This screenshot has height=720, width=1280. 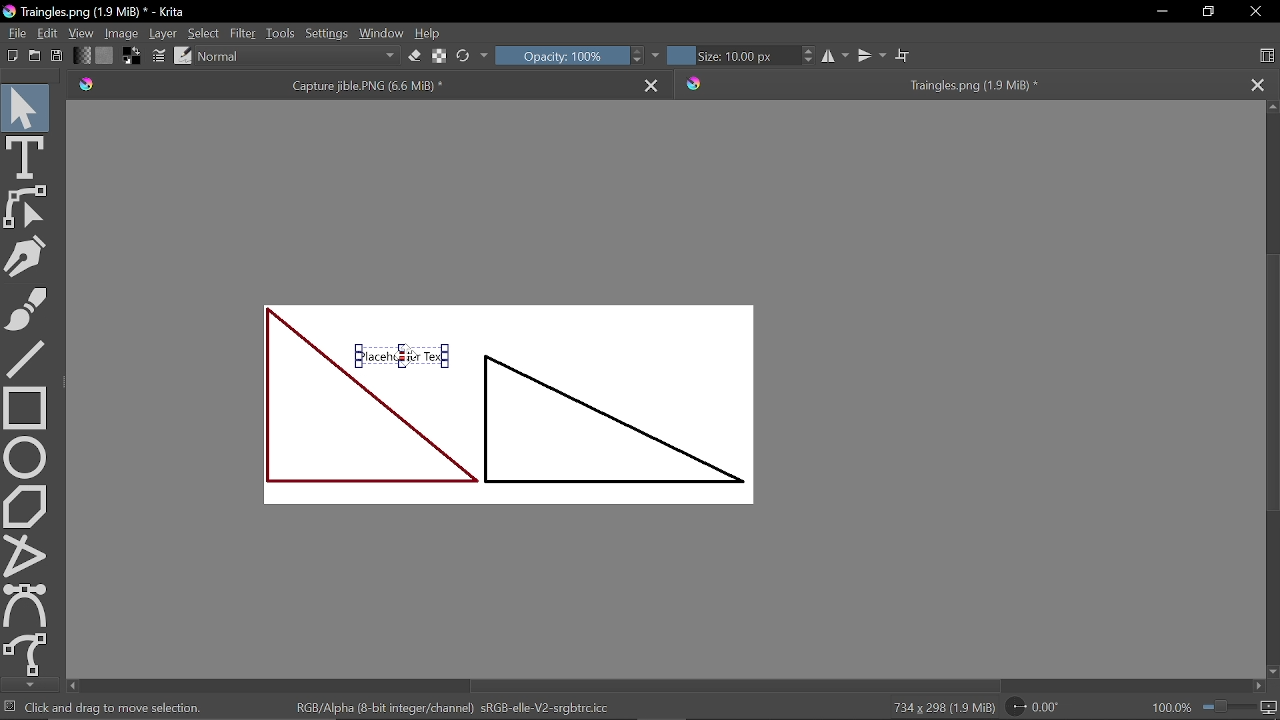 What do you see at coordinates (354, 85) in the screenshot?
I see `Capture jible.PNG (6.6 MiB) *` at bounding box center [354, 85].